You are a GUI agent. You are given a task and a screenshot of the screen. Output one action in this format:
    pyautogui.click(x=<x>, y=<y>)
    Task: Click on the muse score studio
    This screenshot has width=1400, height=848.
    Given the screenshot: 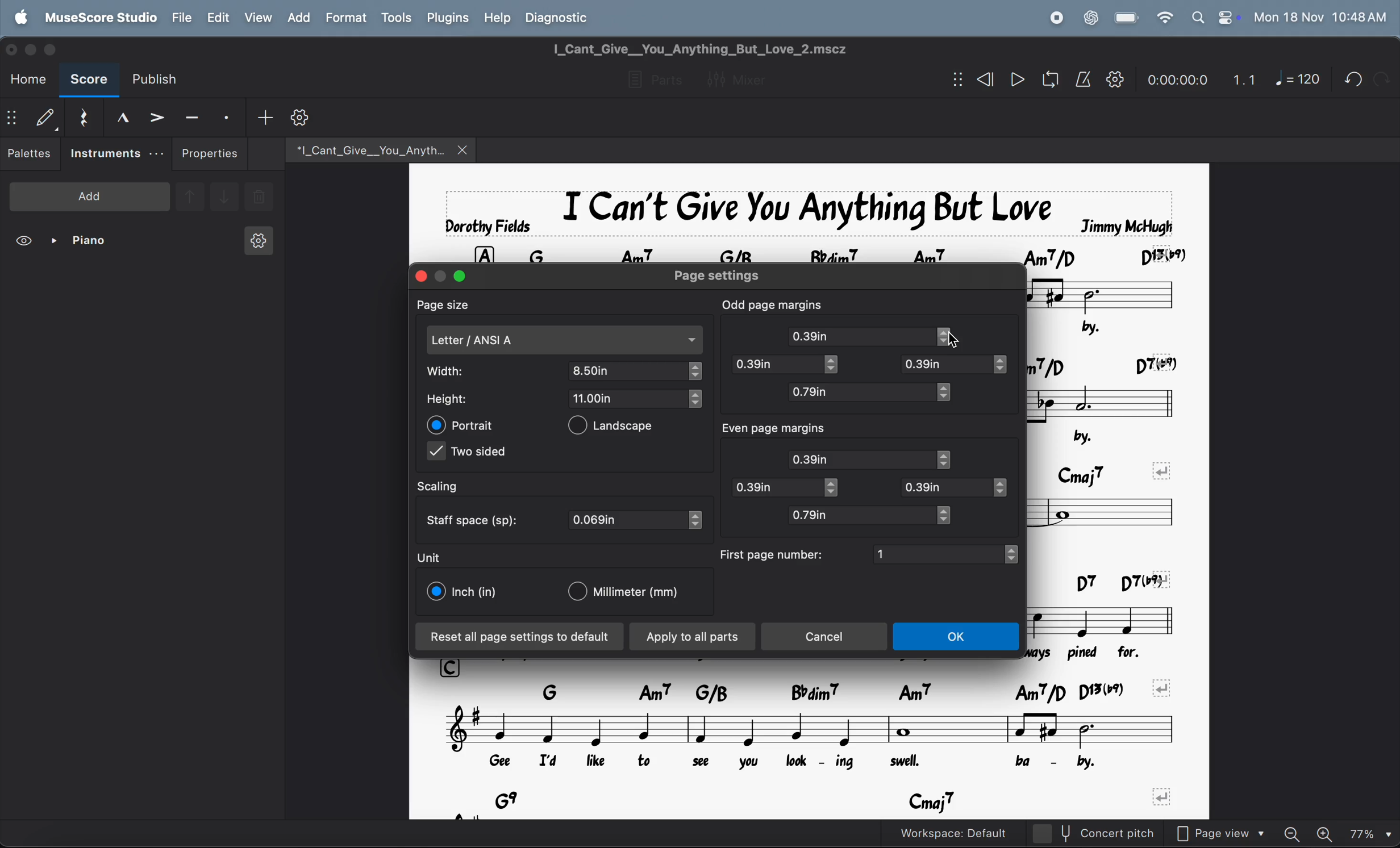 What is the action you would take?
    pyautogui.click(x=100, y=16)
    